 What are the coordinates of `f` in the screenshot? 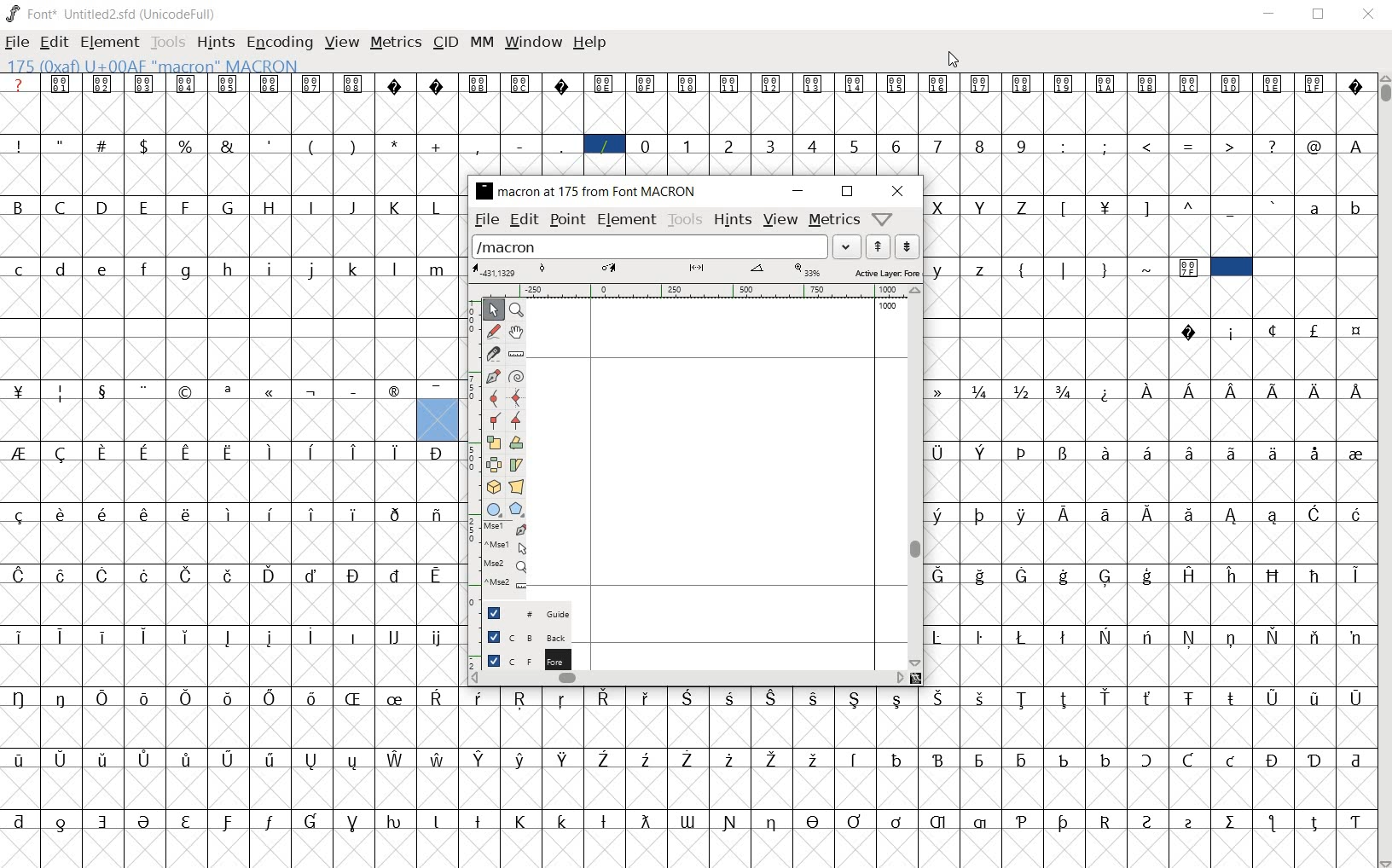 It's located at (148, 267).